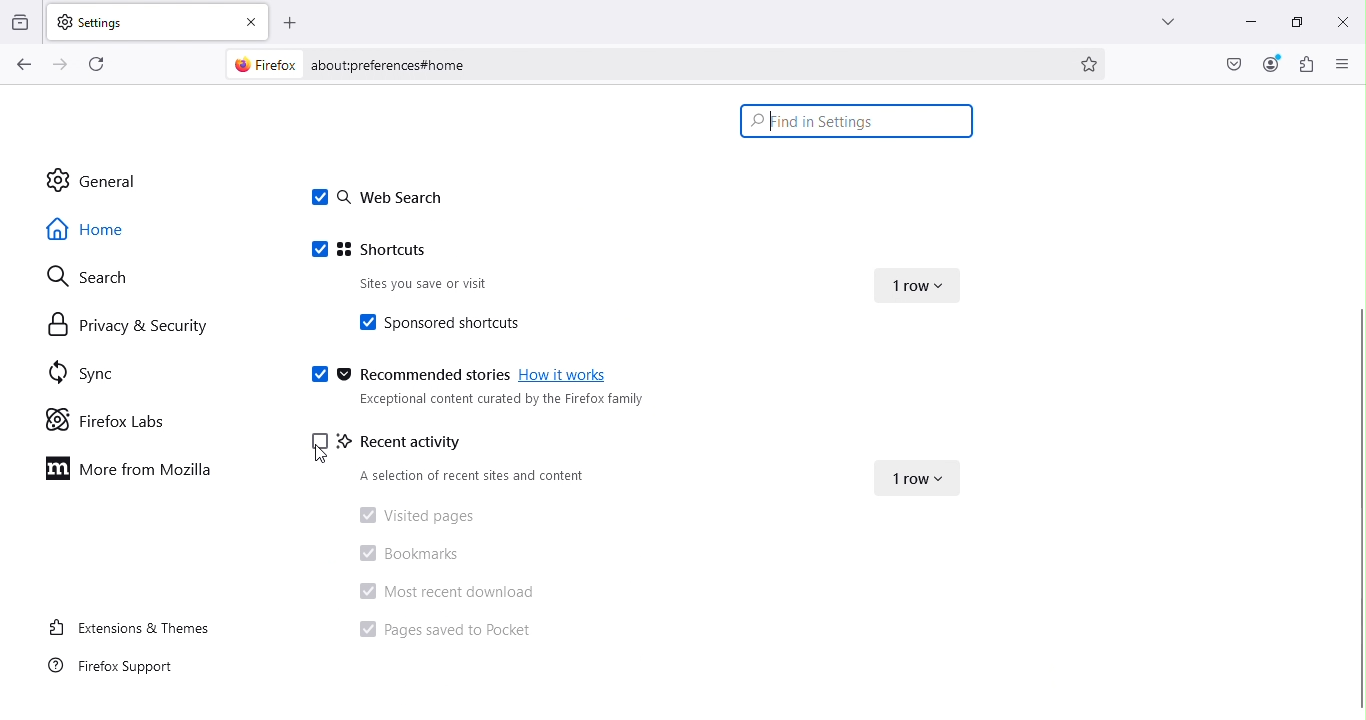 The image size is (1366, 720). I want to click on More from mozilla, so click(135, 474).